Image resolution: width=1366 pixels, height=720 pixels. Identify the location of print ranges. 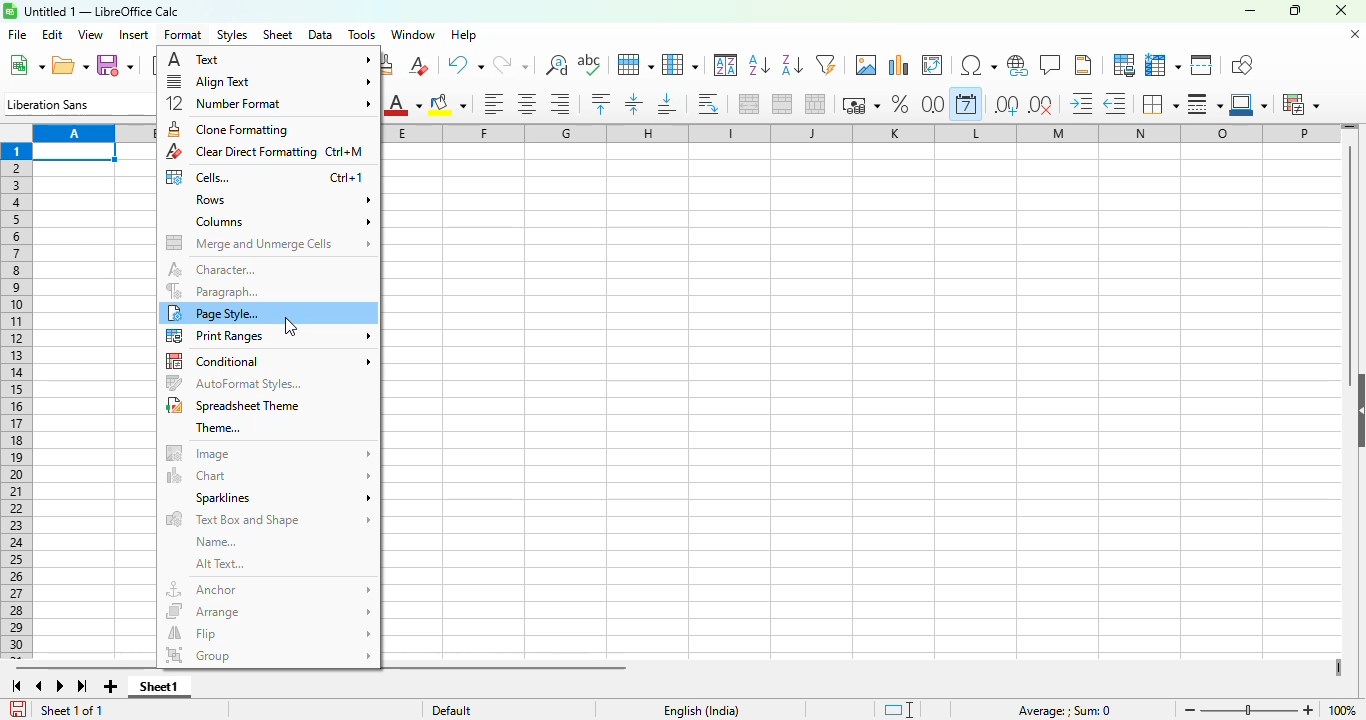
(269, 336).